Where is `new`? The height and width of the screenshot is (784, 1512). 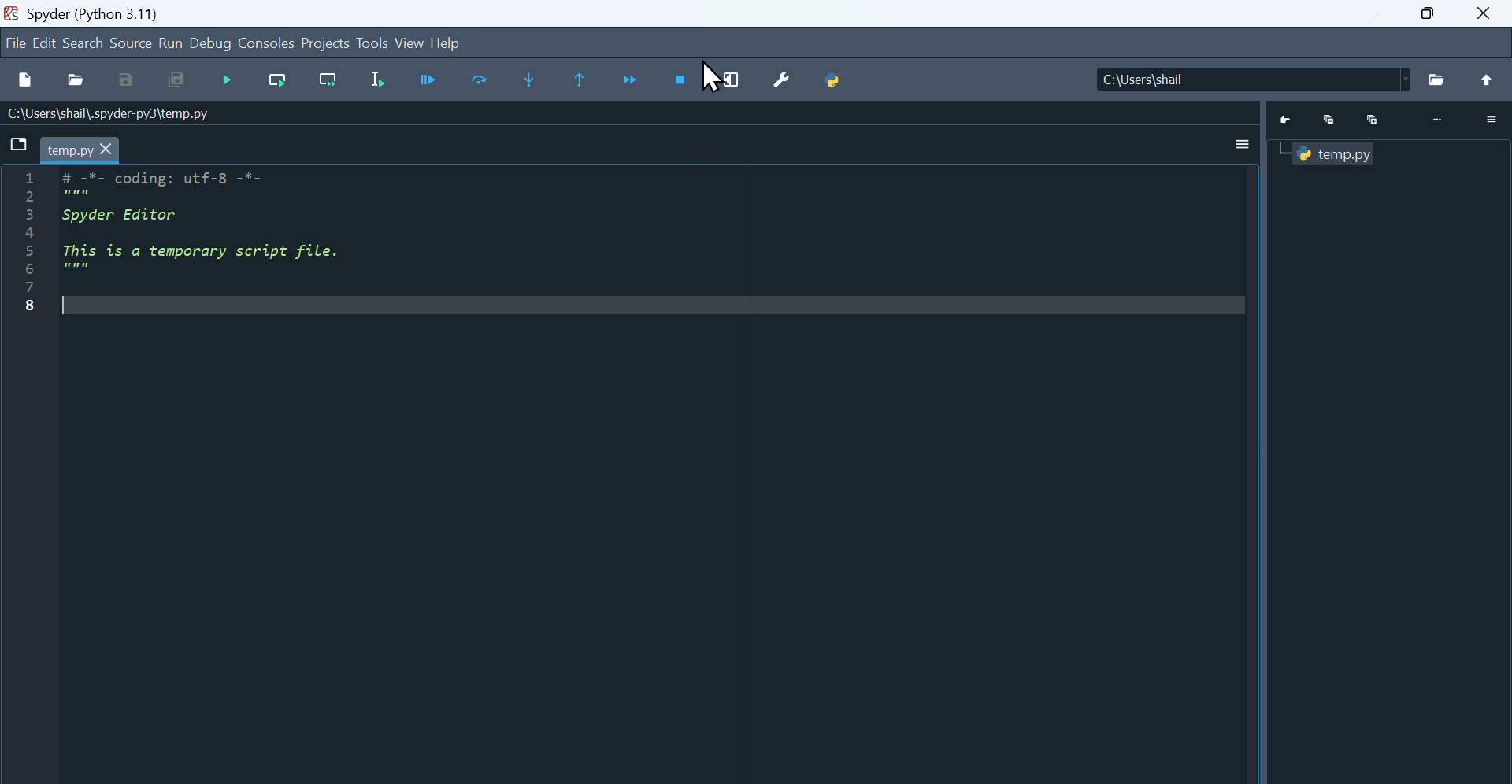
new is located at coordinates (20, 79).